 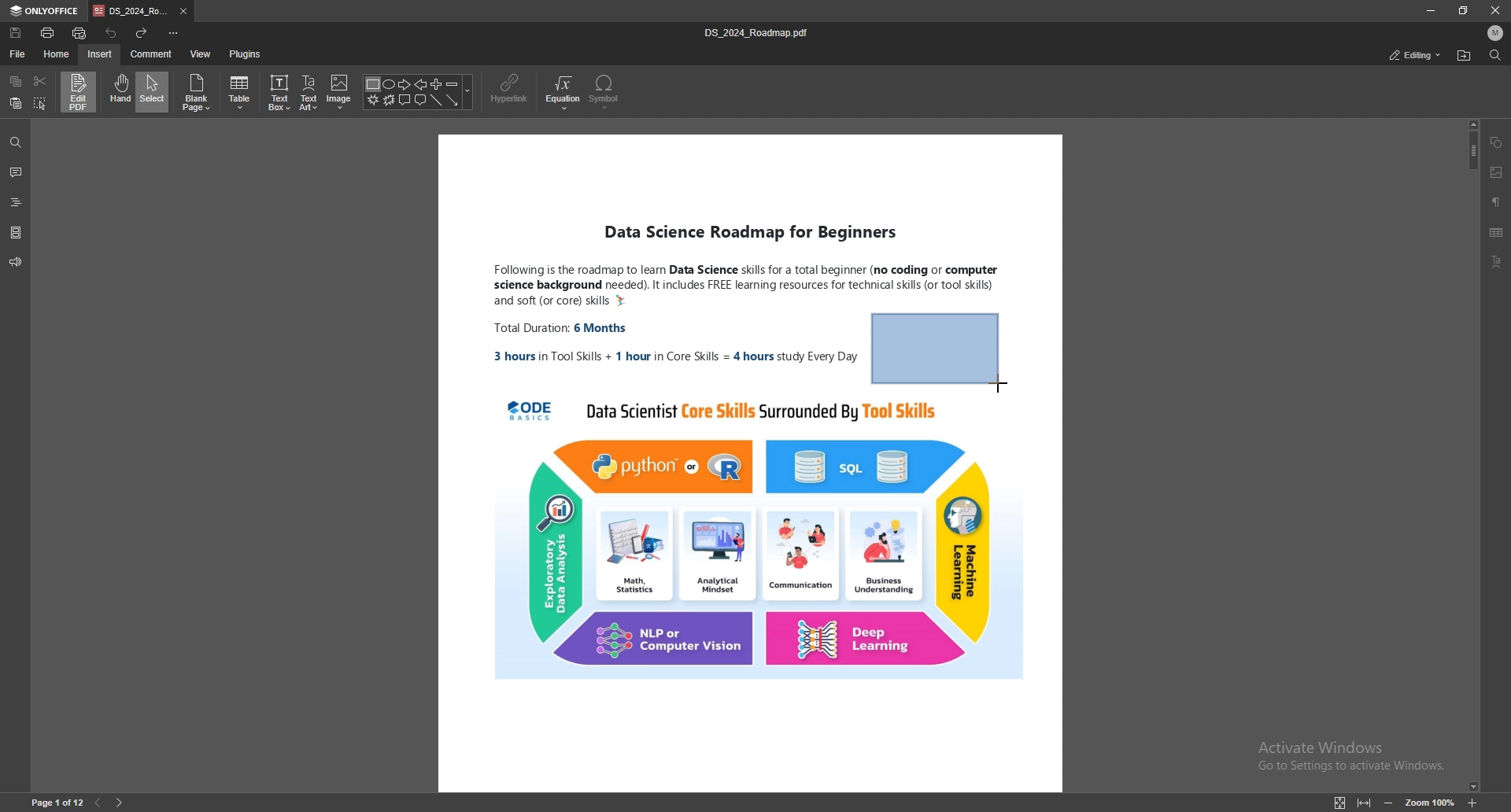 I want to click on select, so click(x=153, y=91).